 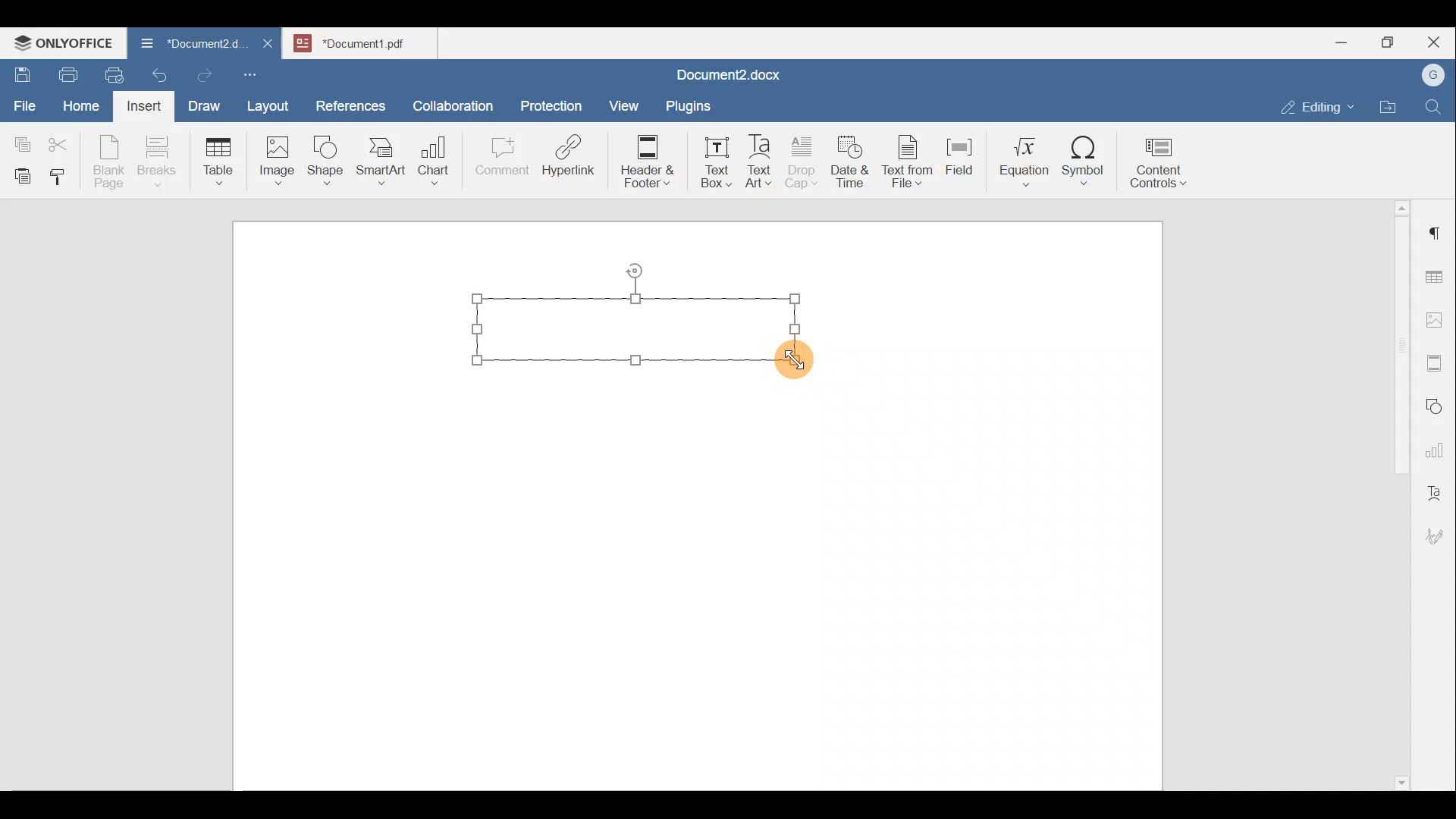 I want to click on Close, so click(x=1436, y=43).